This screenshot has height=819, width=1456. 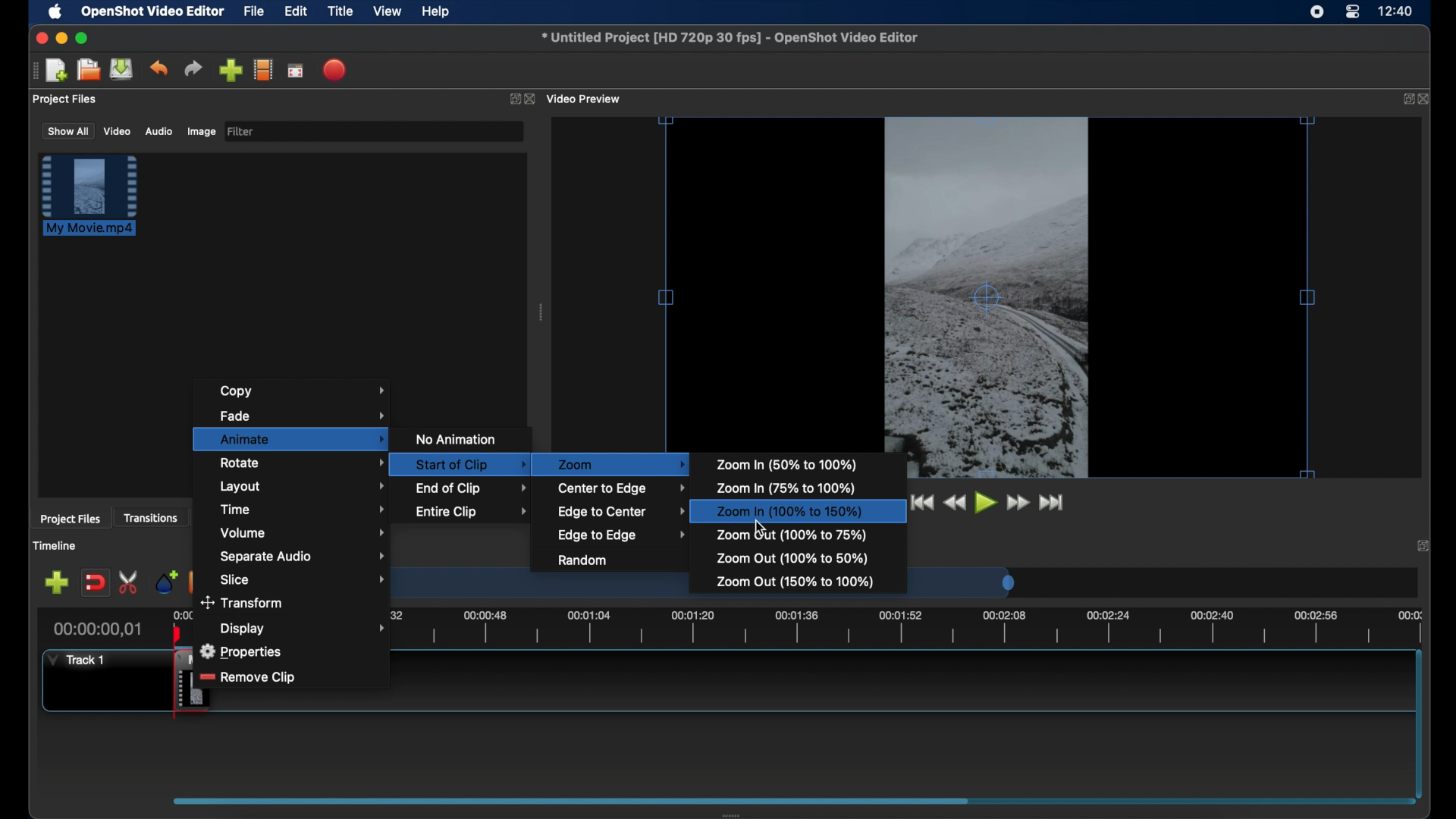 What do you see at coordinates (457, 463) in the screenshot?
I see `start of clip menu` at bounding box center [457, 463].